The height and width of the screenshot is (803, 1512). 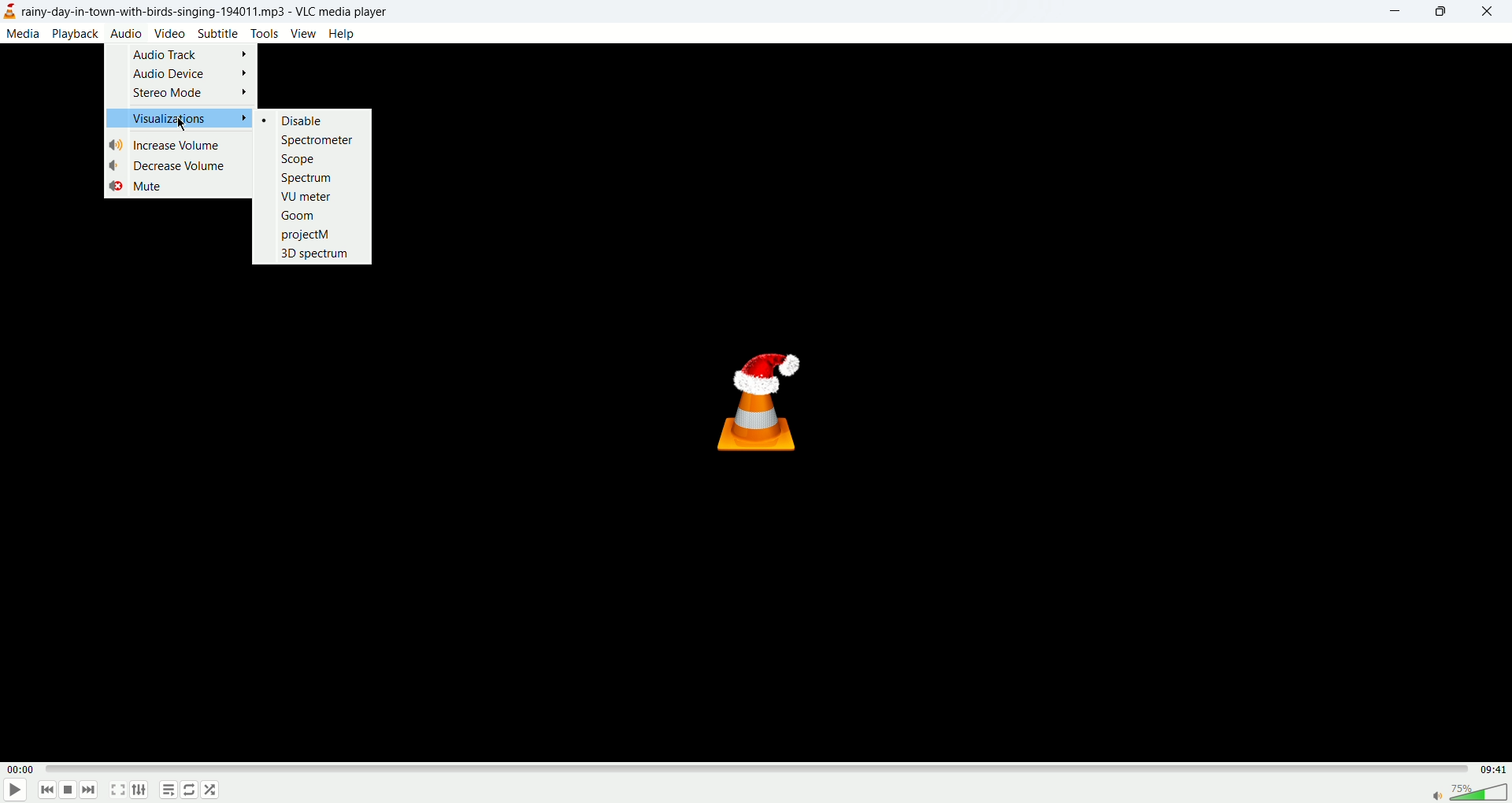 What do you see at coordinates (10, 12) in the screenshot?
I see `logo` at bounding box center [10, 12].